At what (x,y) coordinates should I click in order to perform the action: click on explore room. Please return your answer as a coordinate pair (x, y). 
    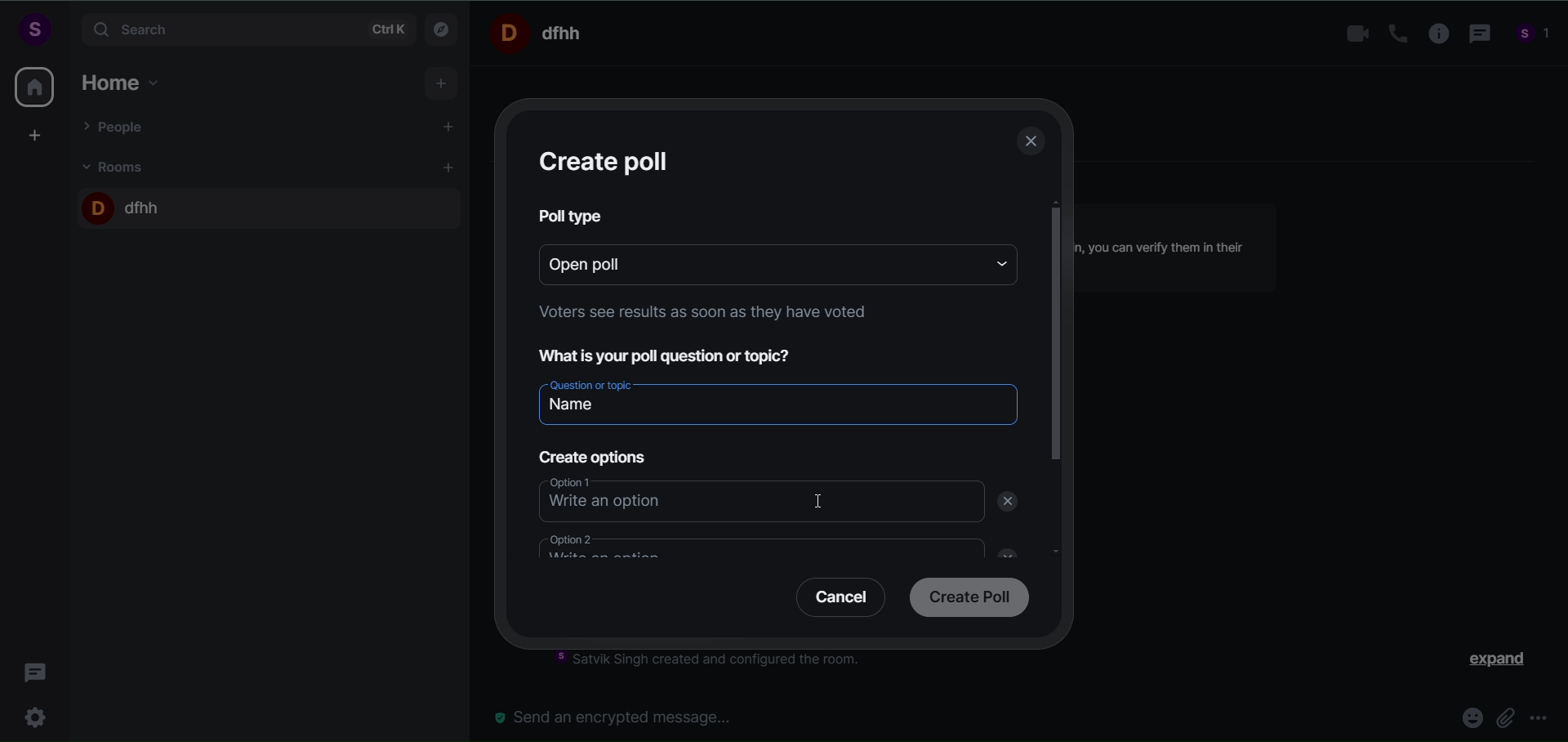
    Looking at the image, I should click on (443, 28).